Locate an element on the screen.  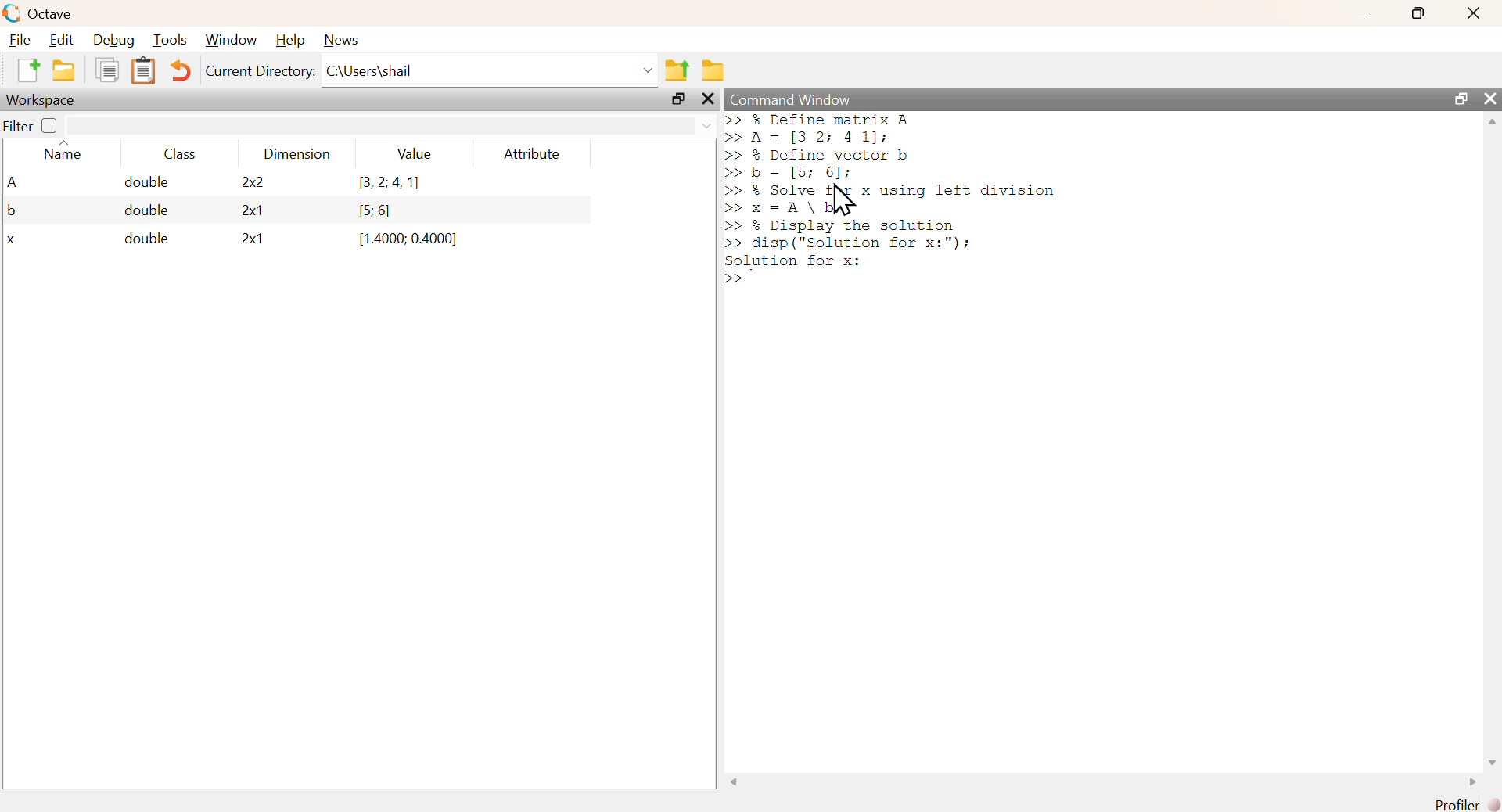
value is located at coordinates (414, 154).